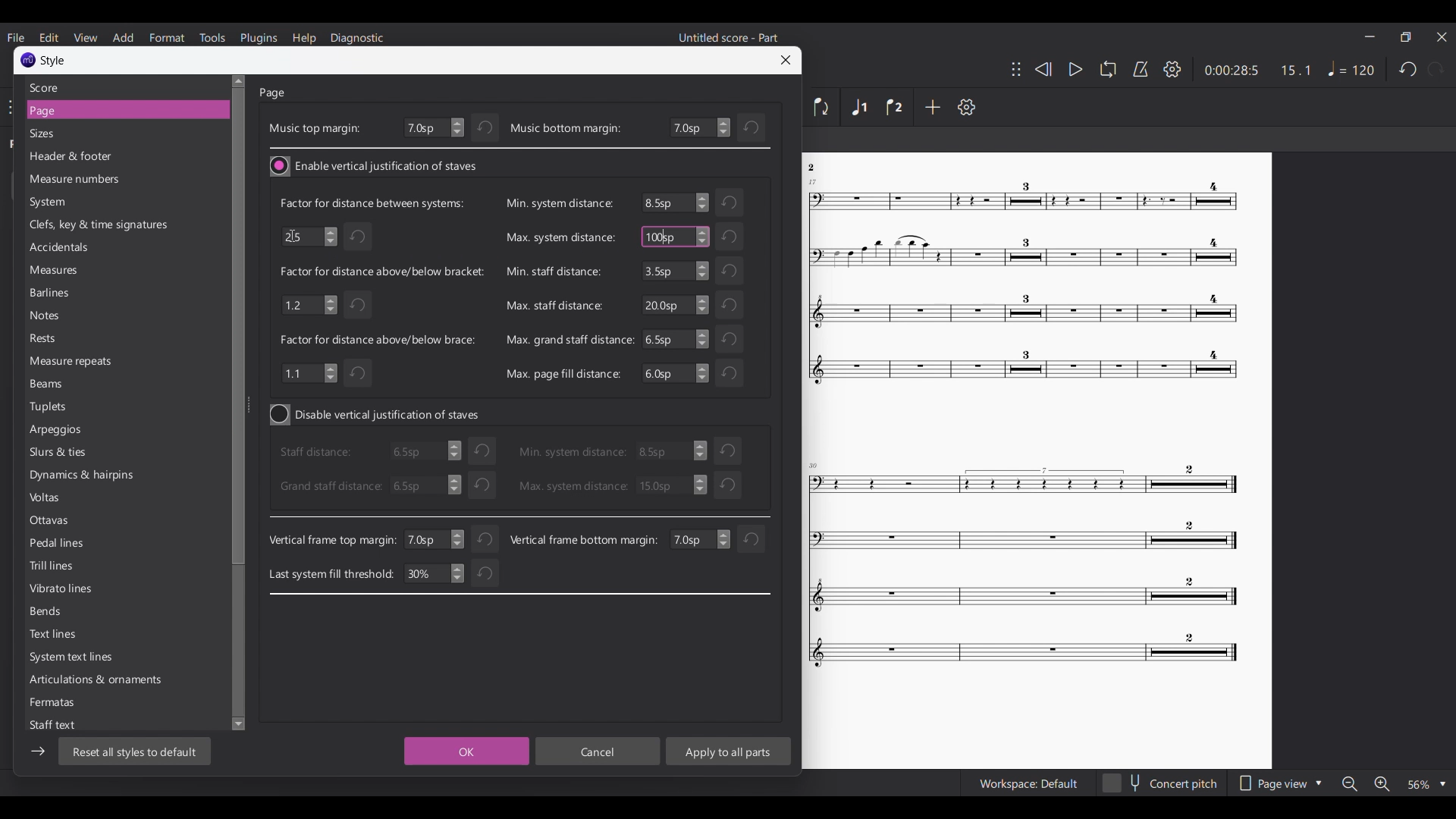 Image resolution: width=1456 pixels, height=819 pixels. What do you see at coordinates (482, 576) in the screenshot?
I see `Undo` at bounding box center [482, 576].